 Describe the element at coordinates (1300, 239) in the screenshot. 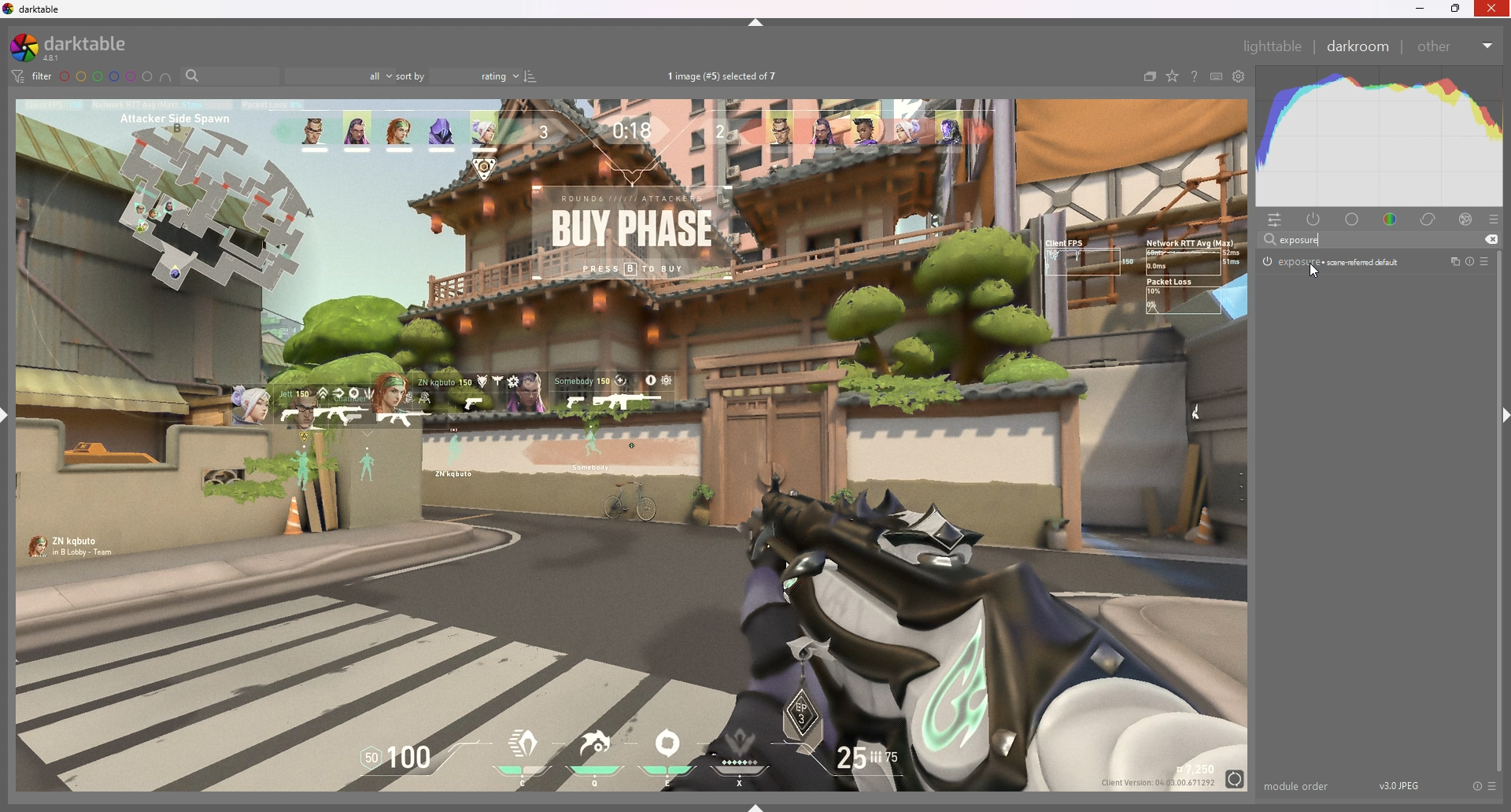

I see `exposure` at that location.